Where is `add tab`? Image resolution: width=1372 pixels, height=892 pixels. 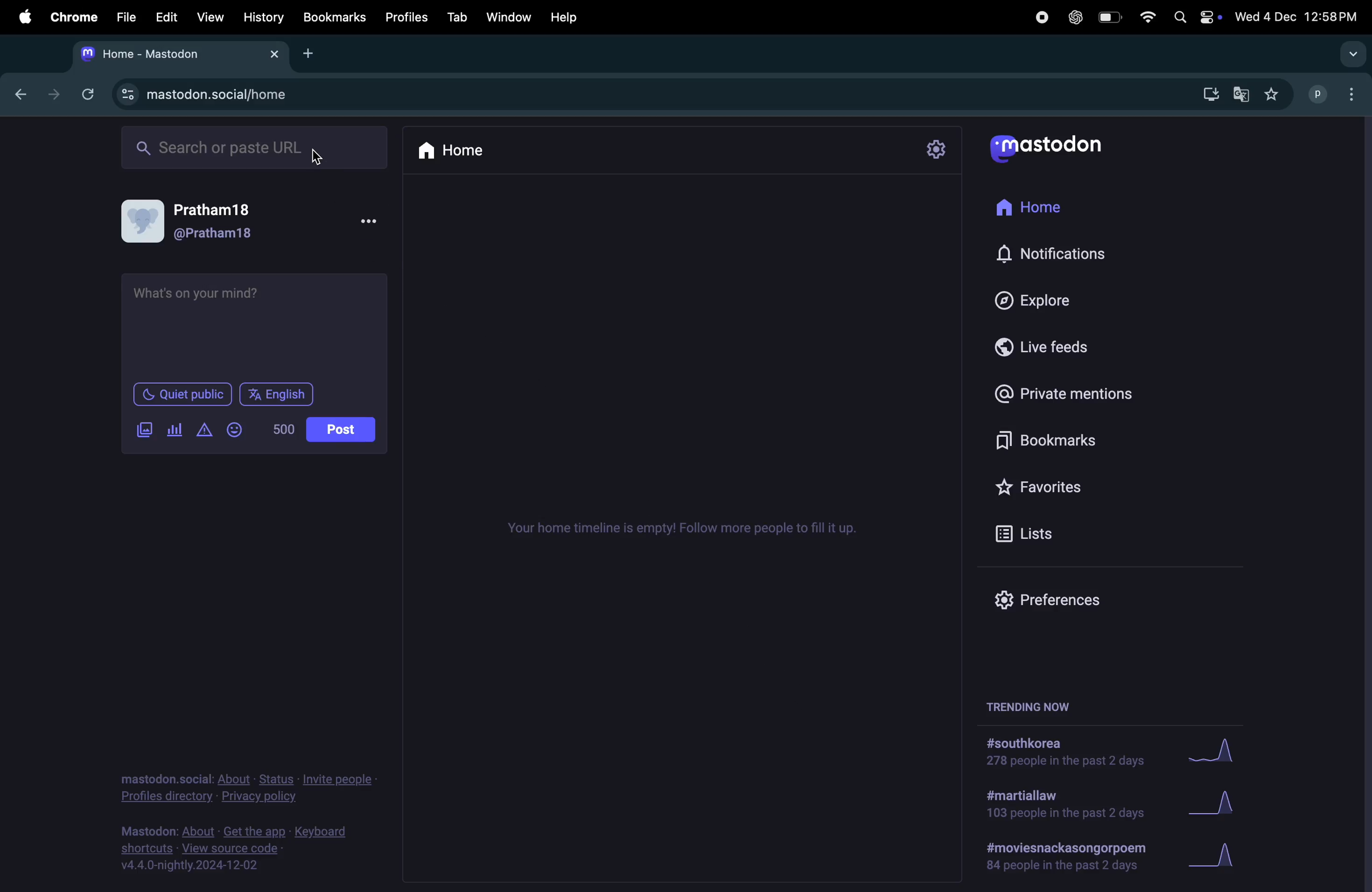
add tab is located at coordinates (313, 54).